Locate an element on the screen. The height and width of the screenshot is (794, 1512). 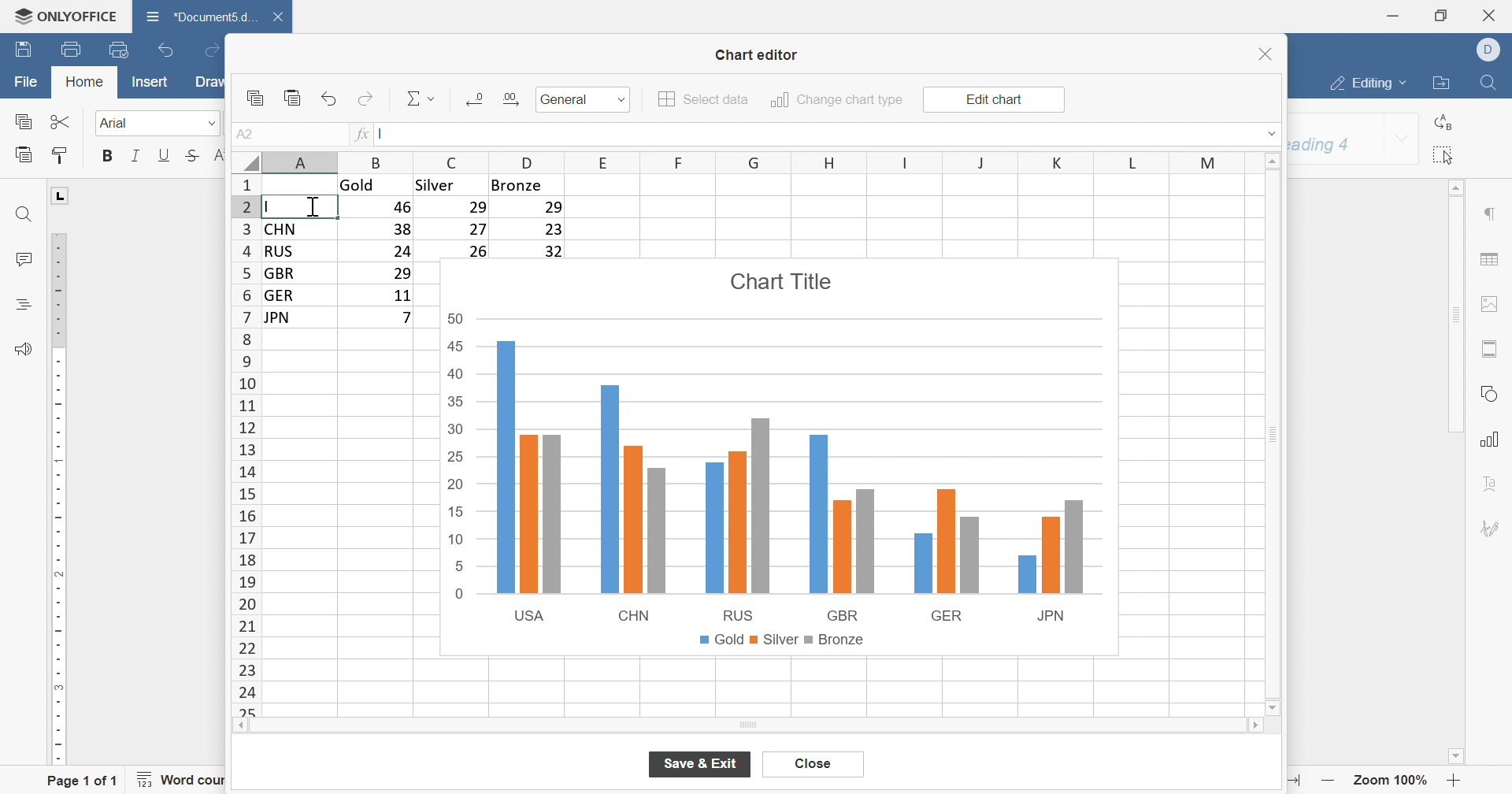
find is located at coordinates (24, 213).